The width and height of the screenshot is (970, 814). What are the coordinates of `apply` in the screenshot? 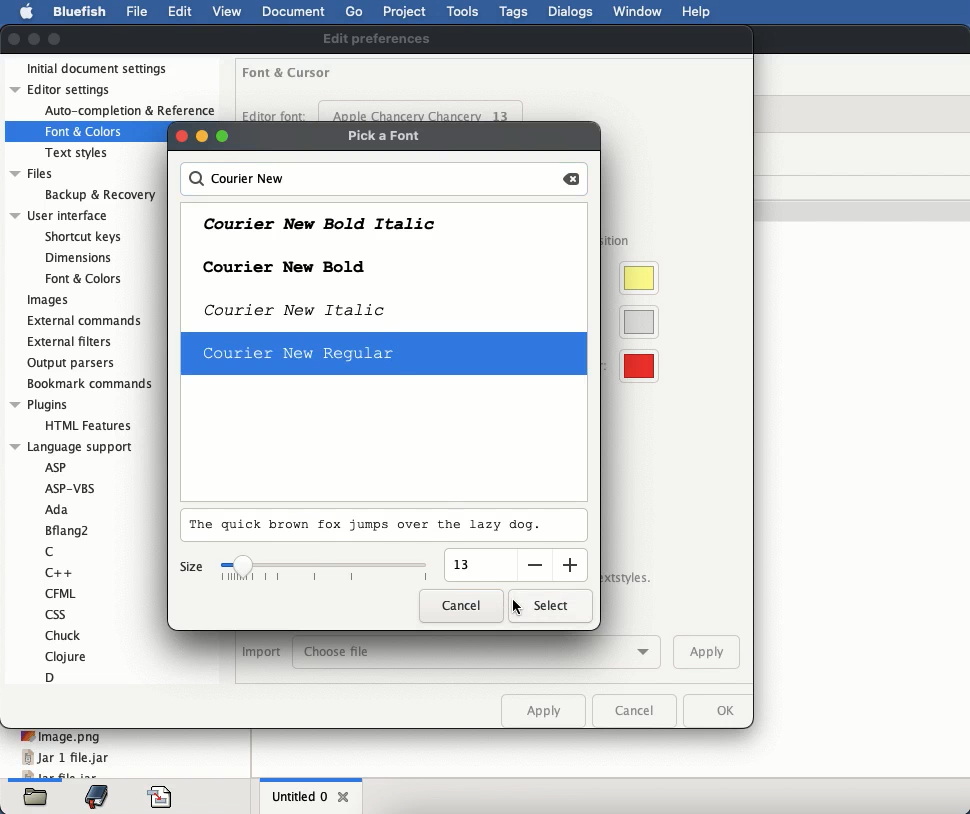 It's located at (543, 707).